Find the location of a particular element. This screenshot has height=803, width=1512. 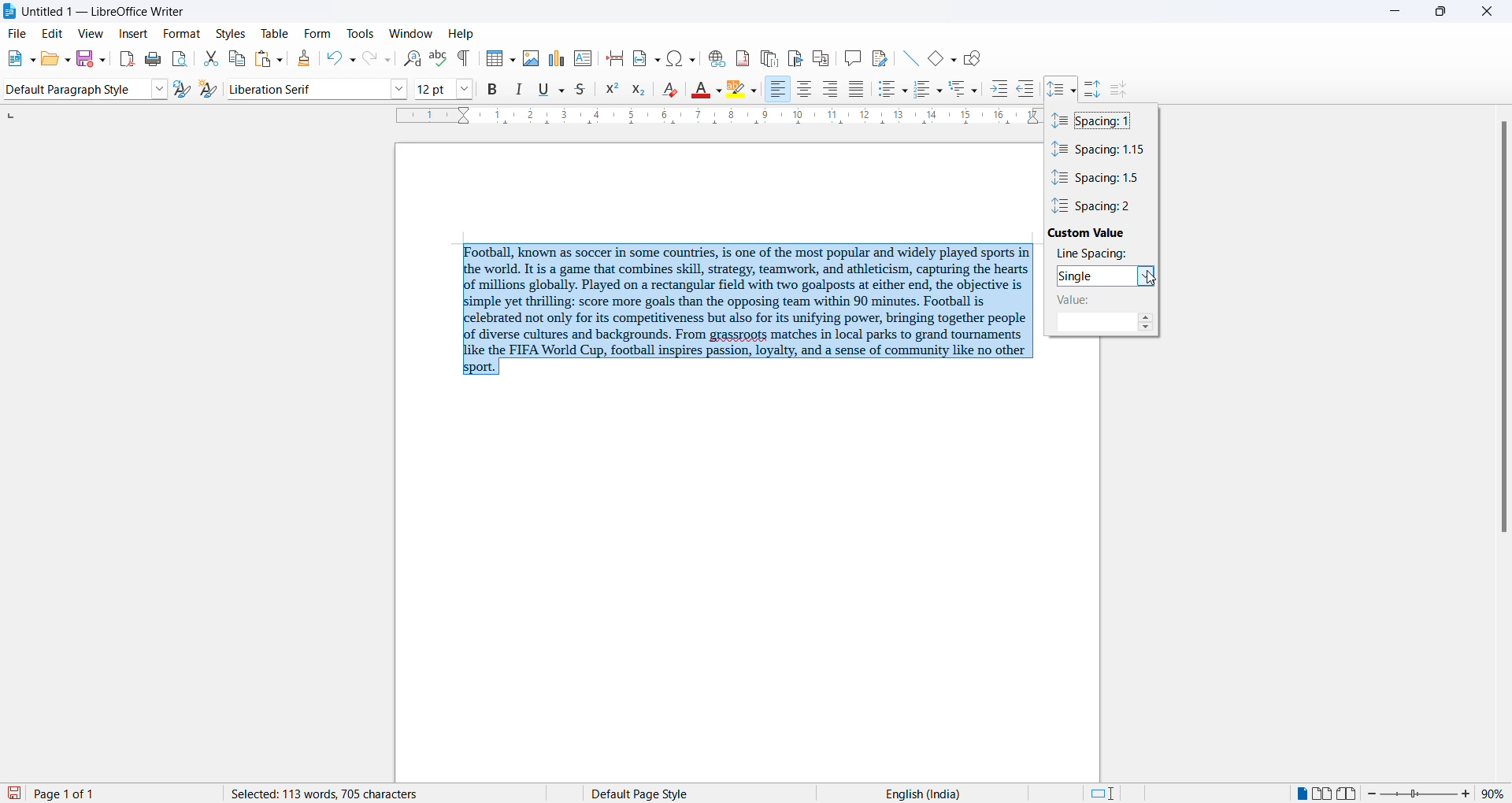

justified is located at coordinates (857, 89).